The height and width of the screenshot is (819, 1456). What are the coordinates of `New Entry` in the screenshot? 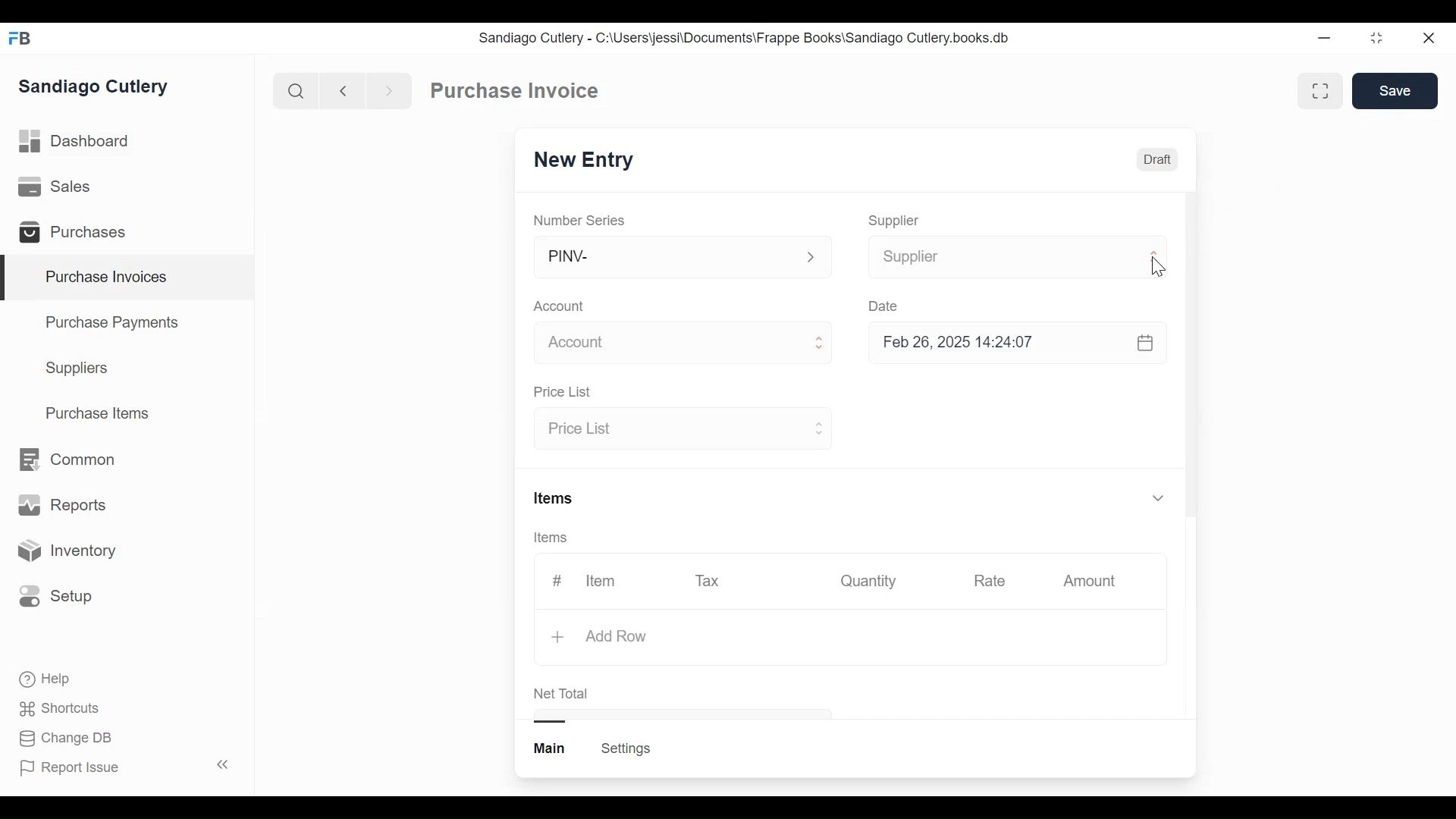 It's located at (588, 161).